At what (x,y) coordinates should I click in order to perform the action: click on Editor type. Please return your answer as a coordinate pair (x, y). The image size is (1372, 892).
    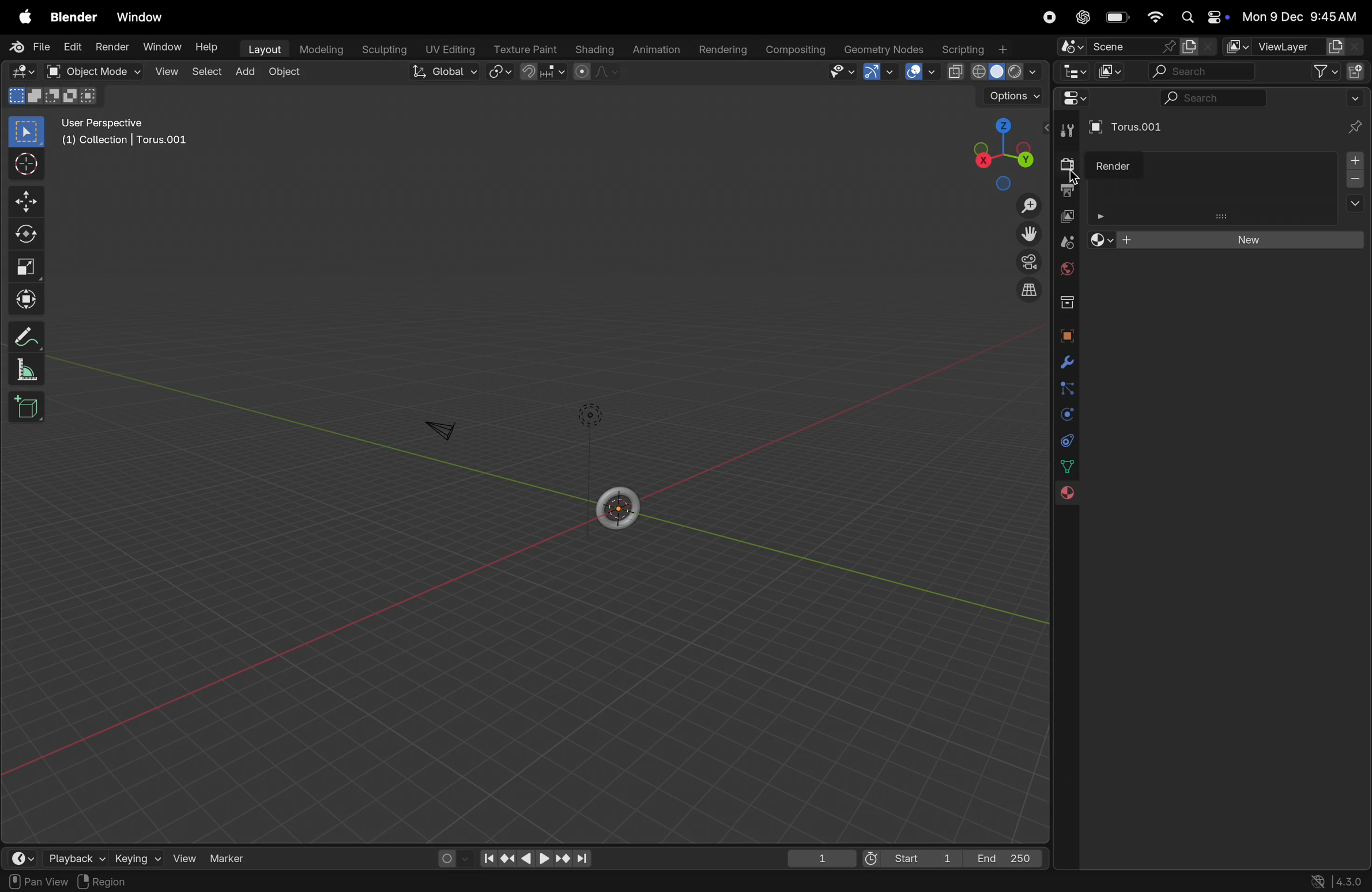
    Looking at the image, I should click on (1072, 73).